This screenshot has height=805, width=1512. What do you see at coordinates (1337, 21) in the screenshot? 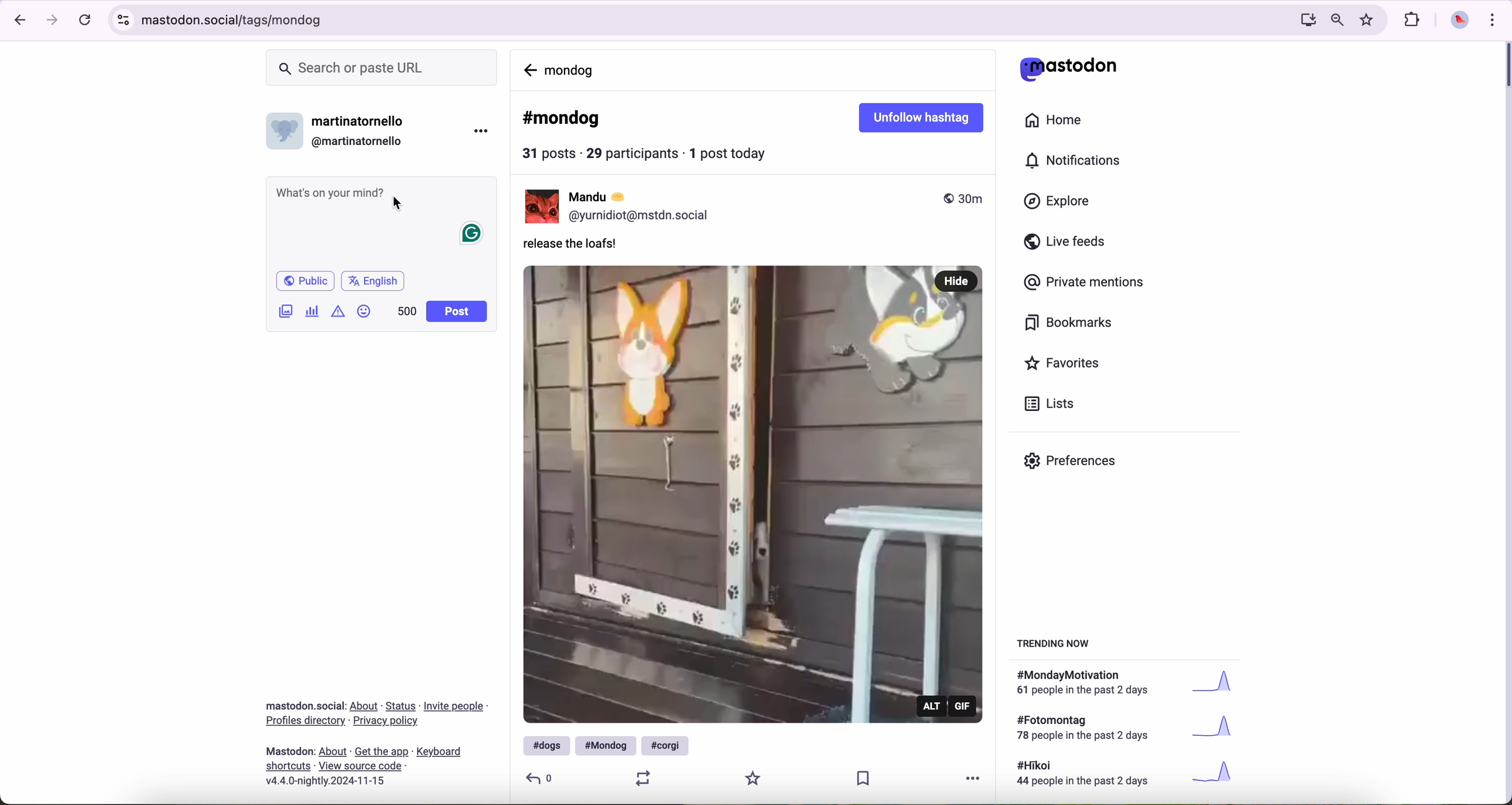
I see `zoom` at bounding box center [1337, 21].